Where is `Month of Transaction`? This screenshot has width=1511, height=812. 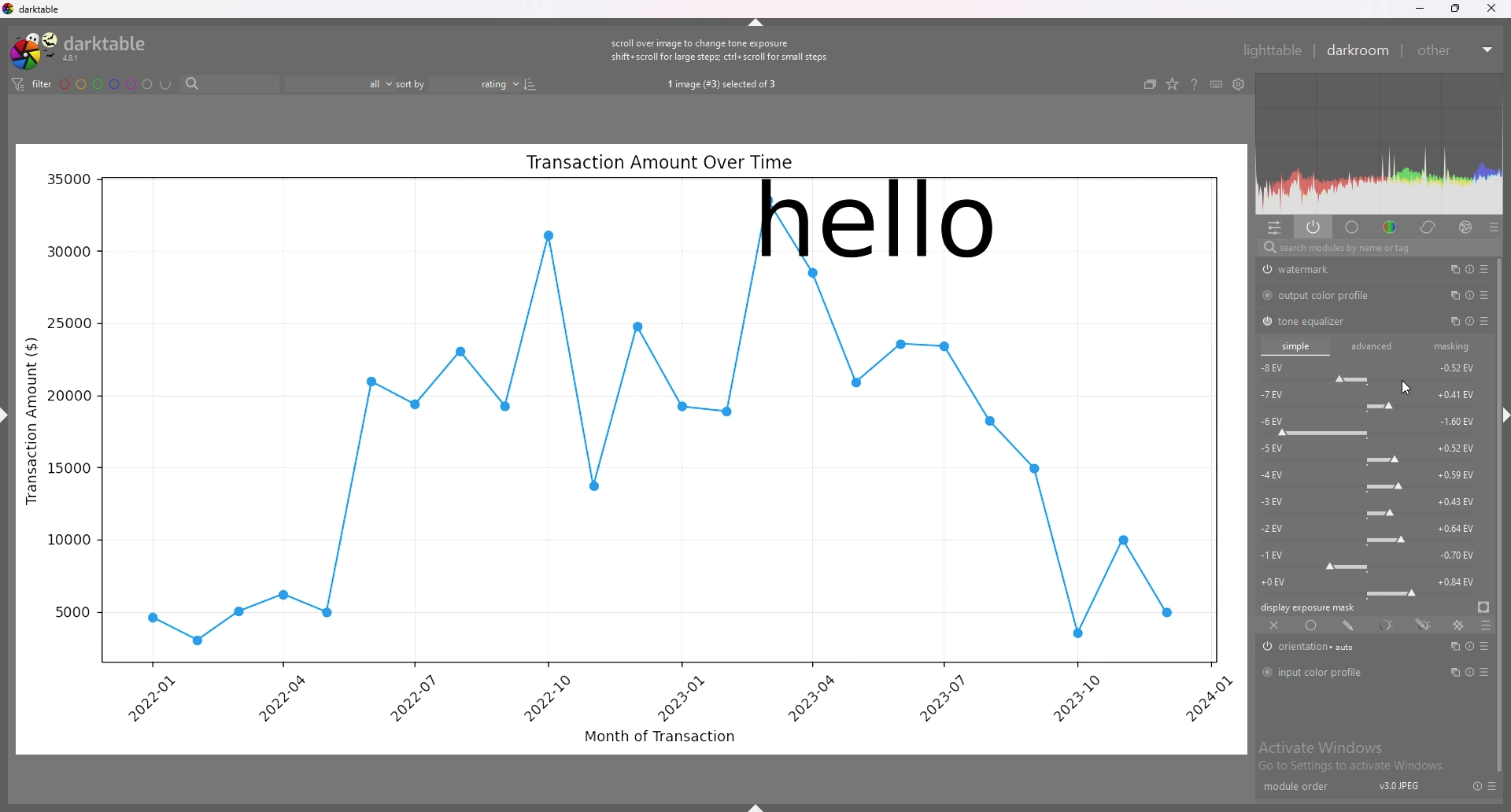
Month of Transaction is located at coordinates (659, 735).